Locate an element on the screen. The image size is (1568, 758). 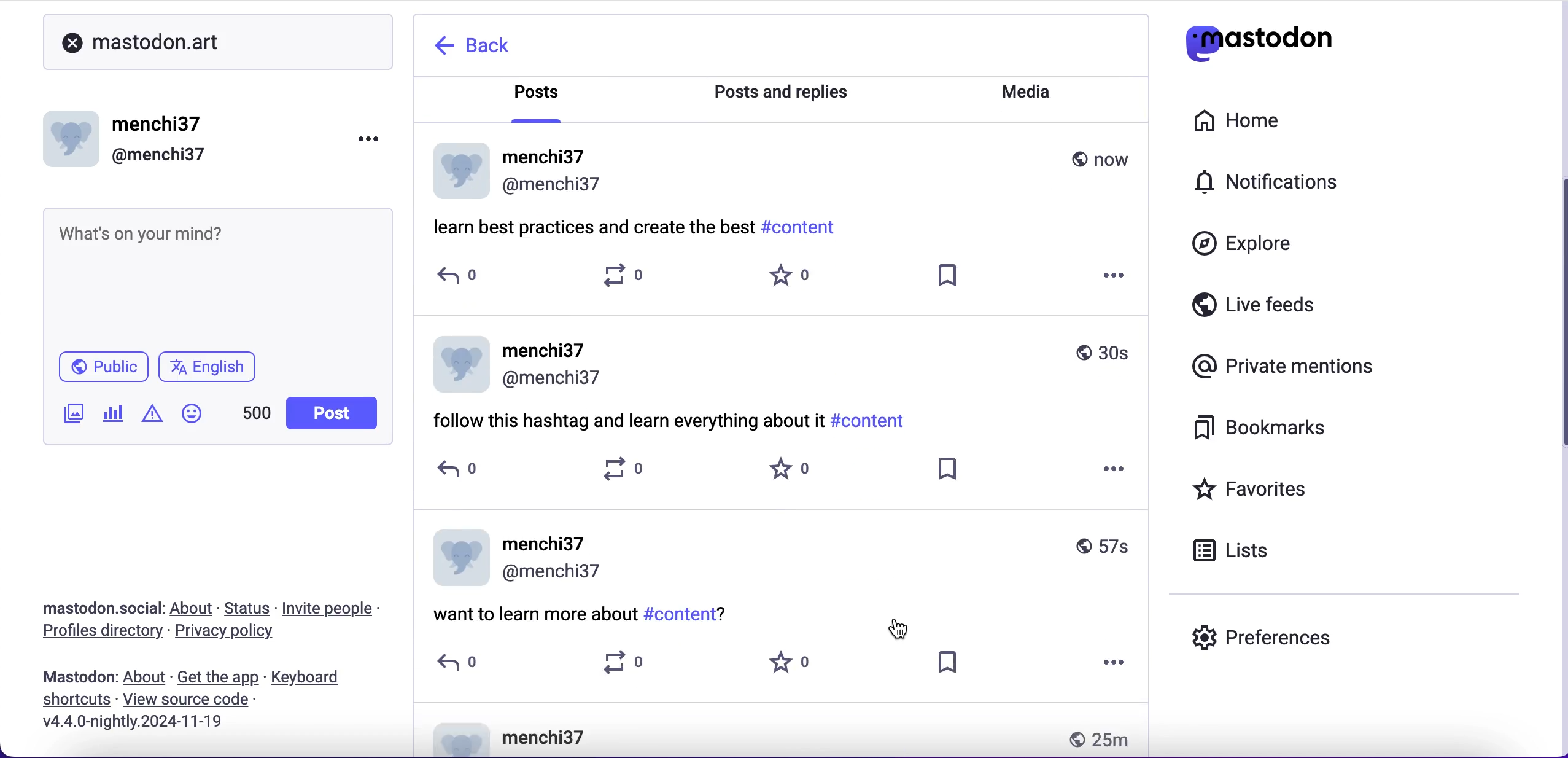
add warnings is located at coordinates (152, 418).